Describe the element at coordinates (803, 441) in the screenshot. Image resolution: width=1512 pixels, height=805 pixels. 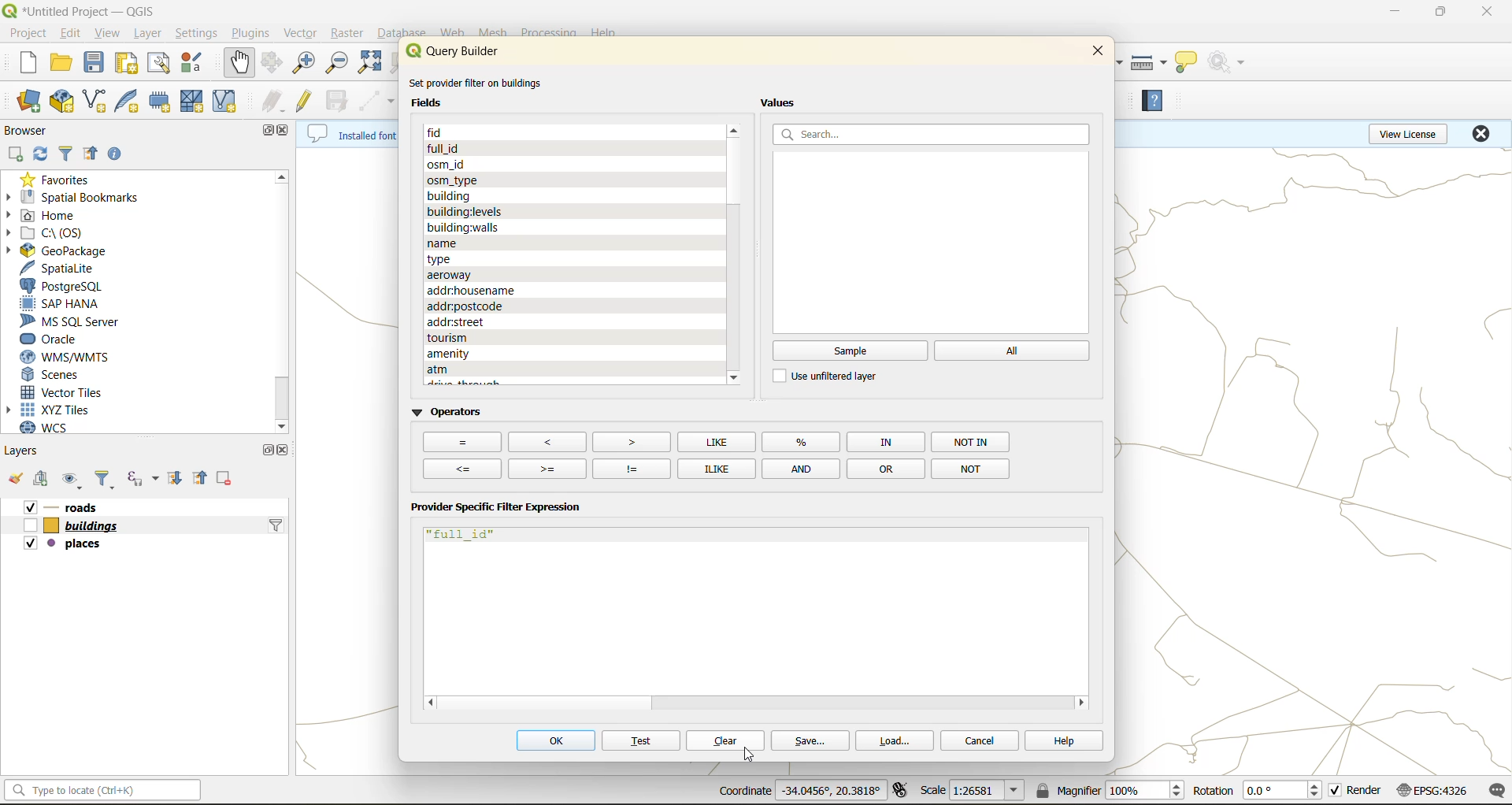
I see `opertators` at that location.